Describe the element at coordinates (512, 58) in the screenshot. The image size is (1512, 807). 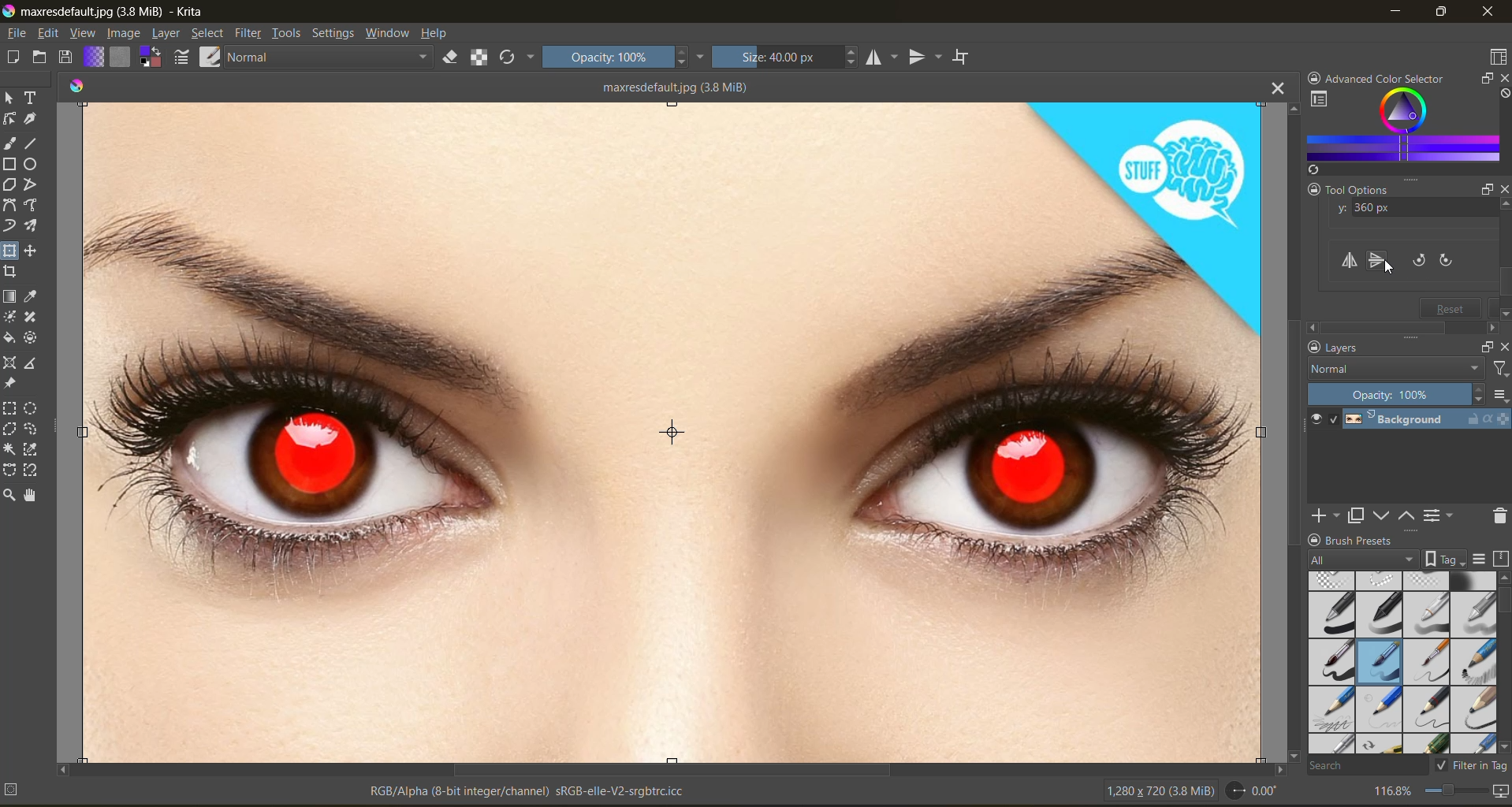
I see `reload original preset` at that location.